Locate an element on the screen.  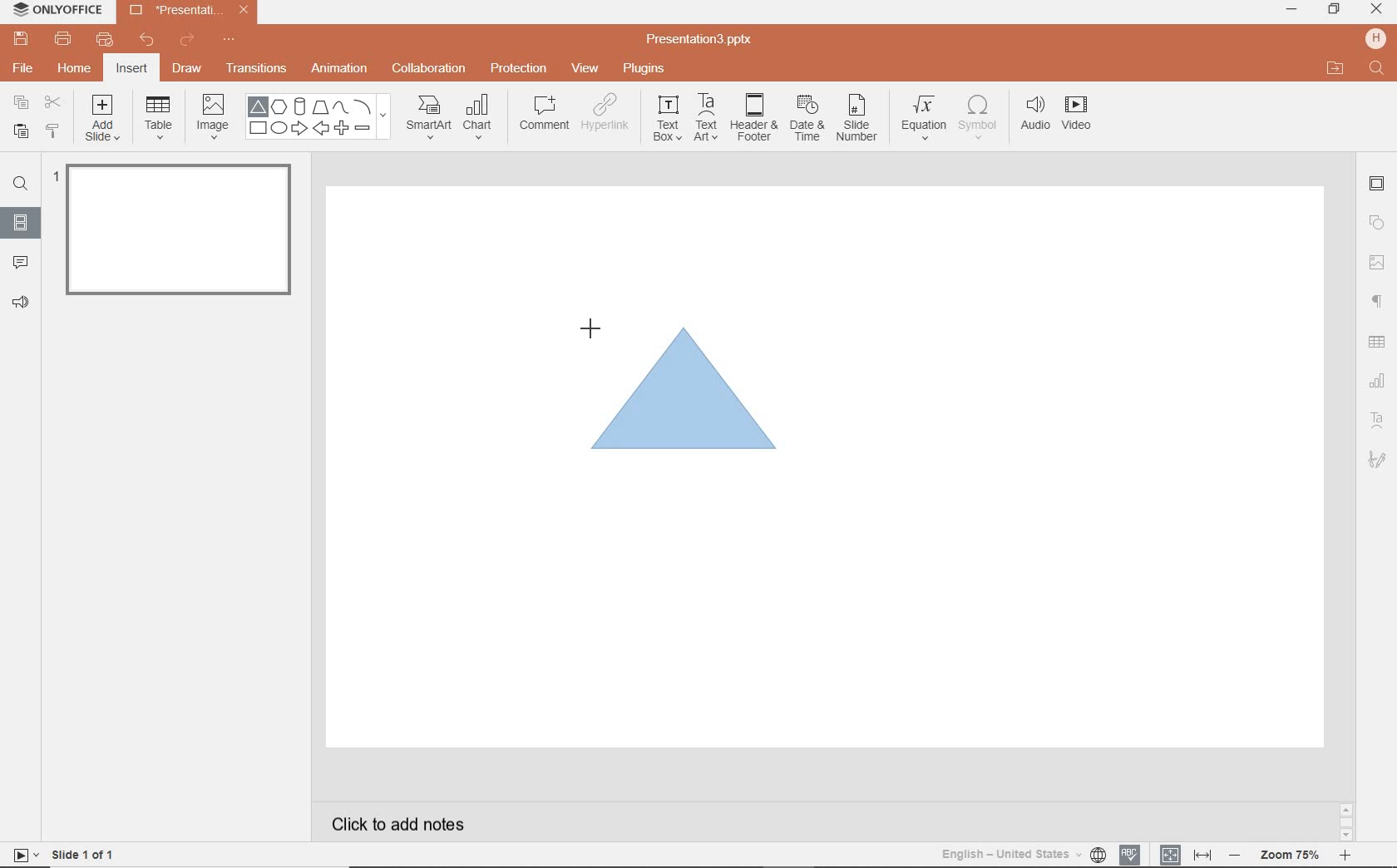
SCROLLBAR is located at coordinates (1346, 825).